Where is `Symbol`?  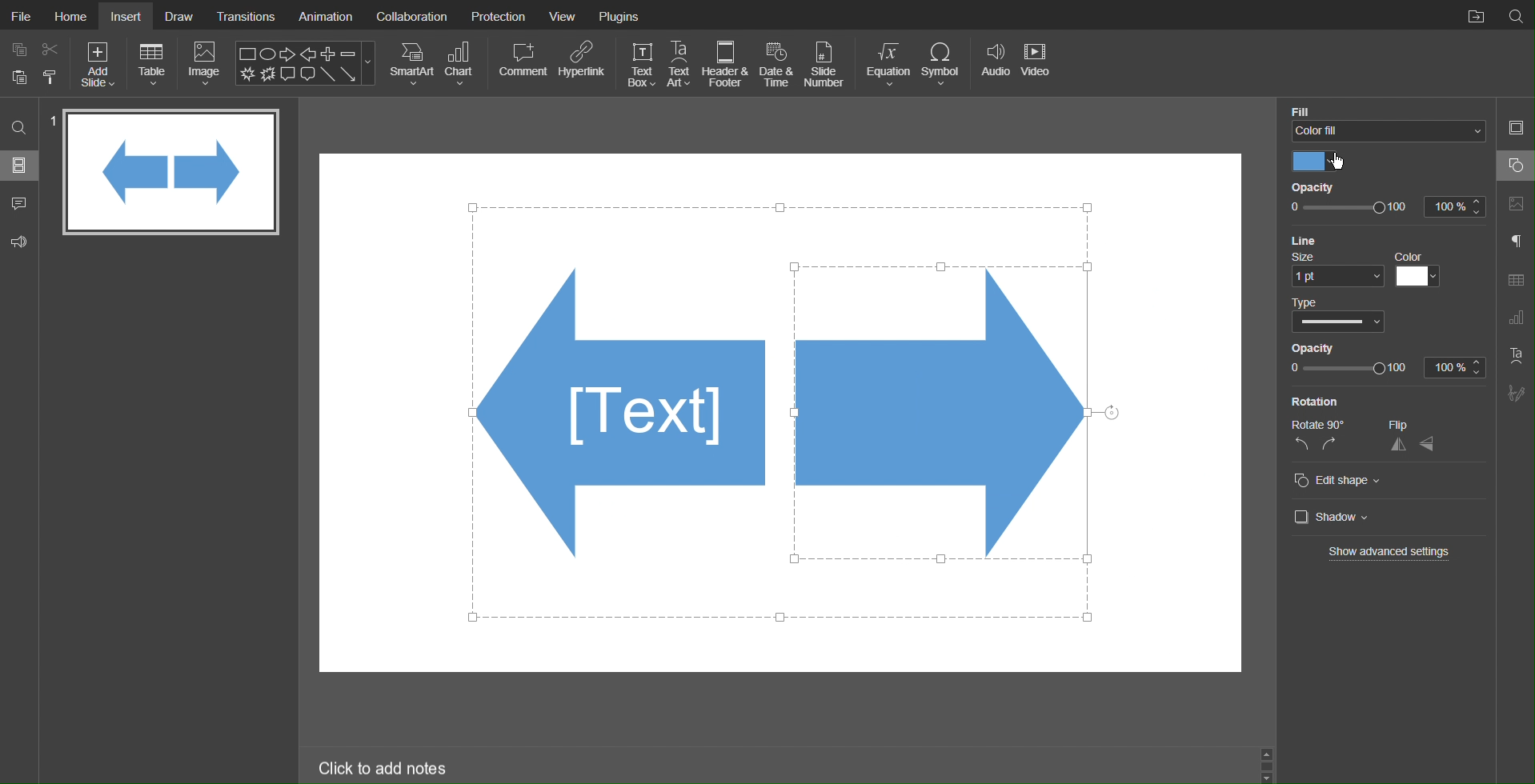 Symbol is located at coordinates (941, 63).